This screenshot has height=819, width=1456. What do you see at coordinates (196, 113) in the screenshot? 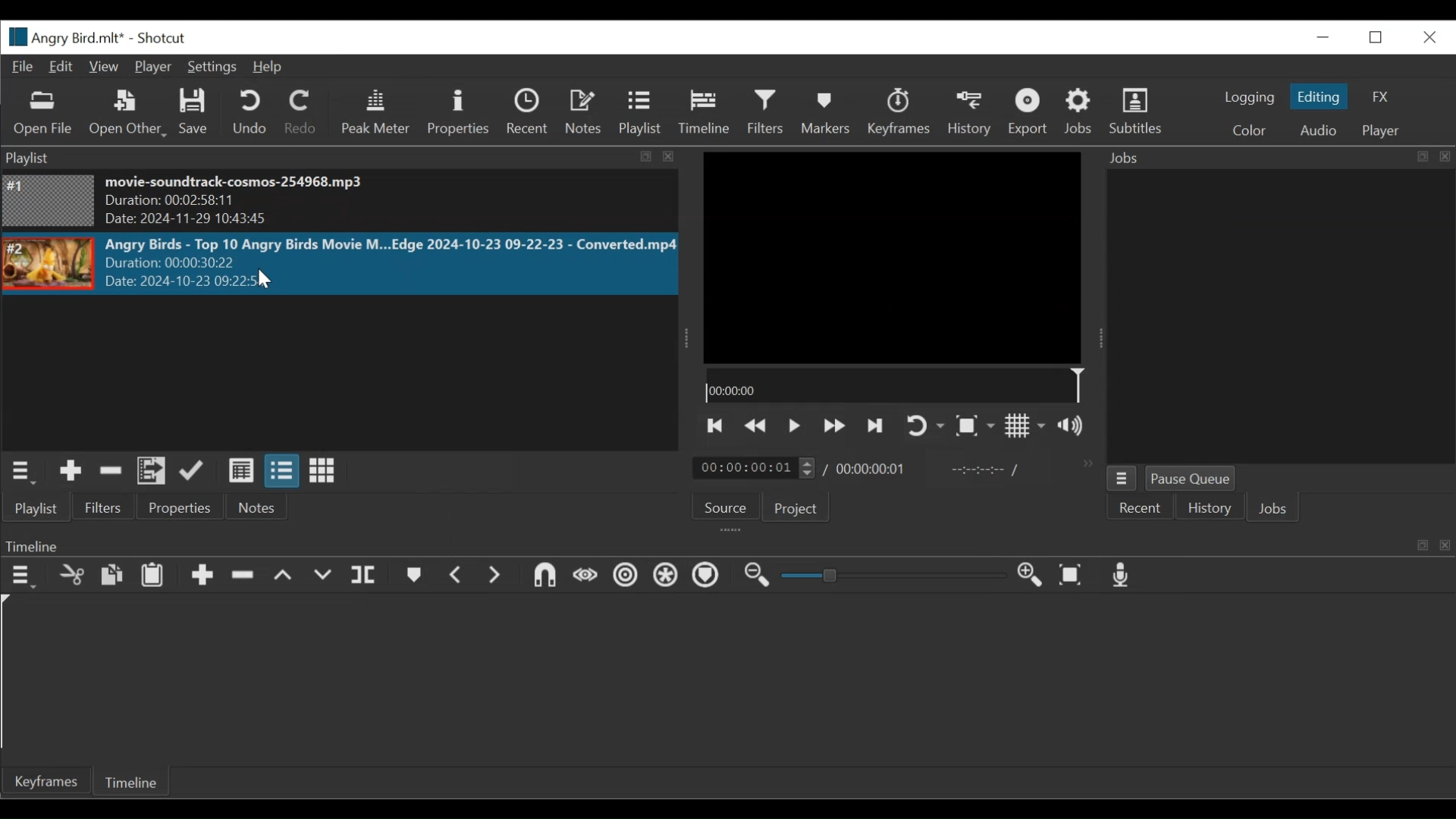
I see `Save` at bounding box center [196, 113].